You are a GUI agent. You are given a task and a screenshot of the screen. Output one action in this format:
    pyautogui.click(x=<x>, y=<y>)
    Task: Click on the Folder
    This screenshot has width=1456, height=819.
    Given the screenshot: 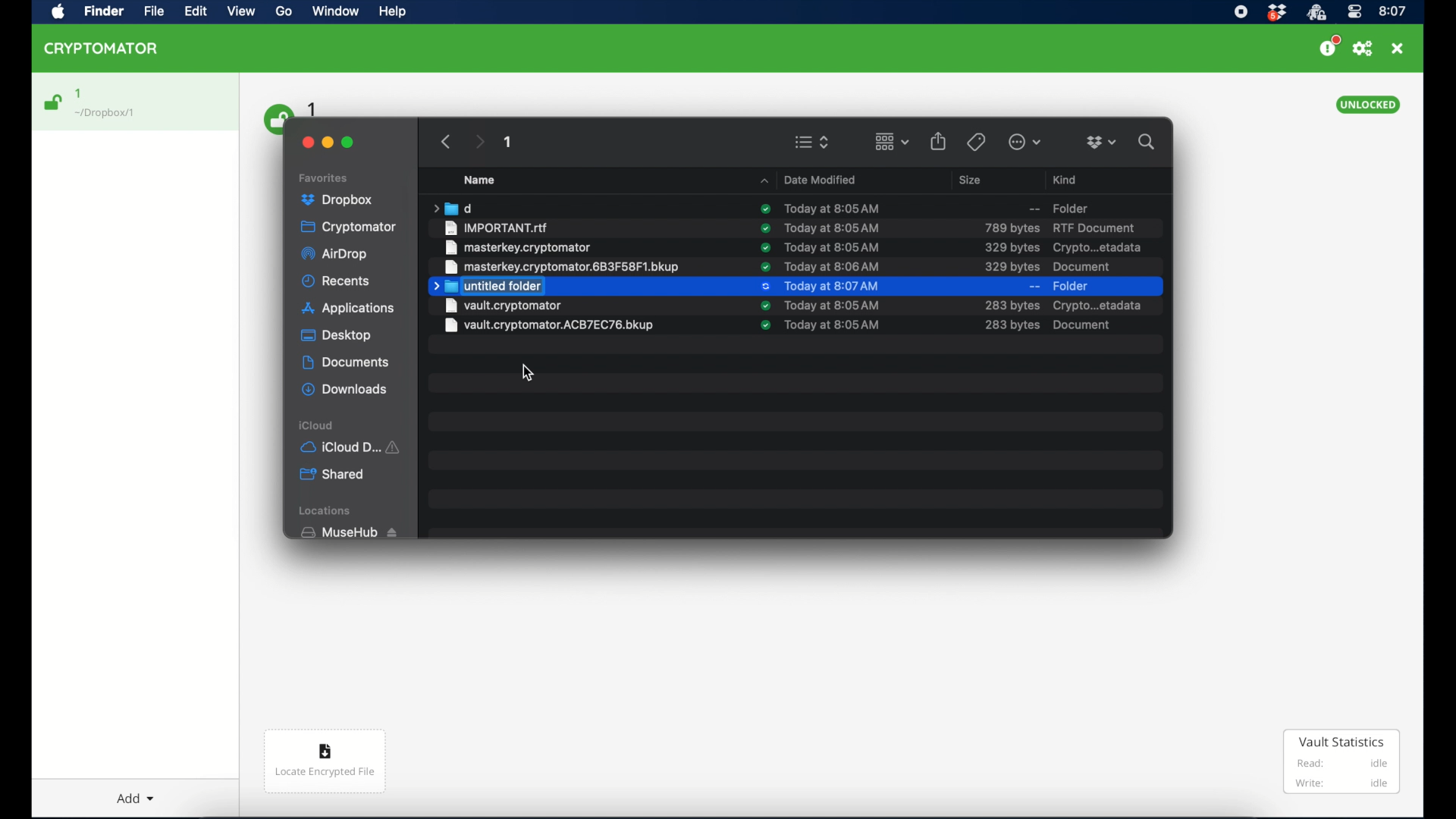 What is the action you would take?
    pyautogui.click(x=1058, y=206)
    